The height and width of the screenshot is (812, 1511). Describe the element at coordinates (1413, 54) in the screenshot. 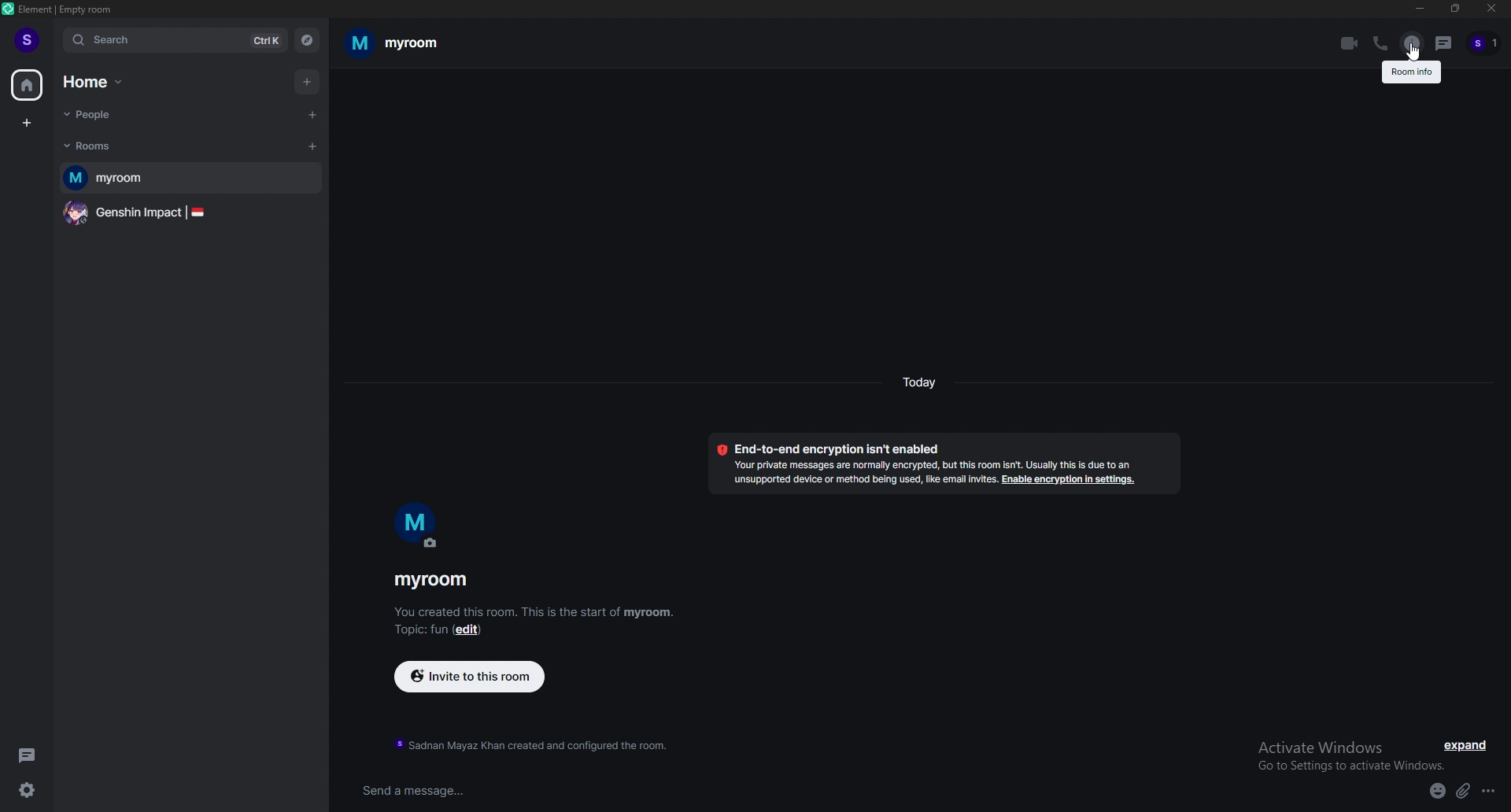

I see `cursor` at that location.